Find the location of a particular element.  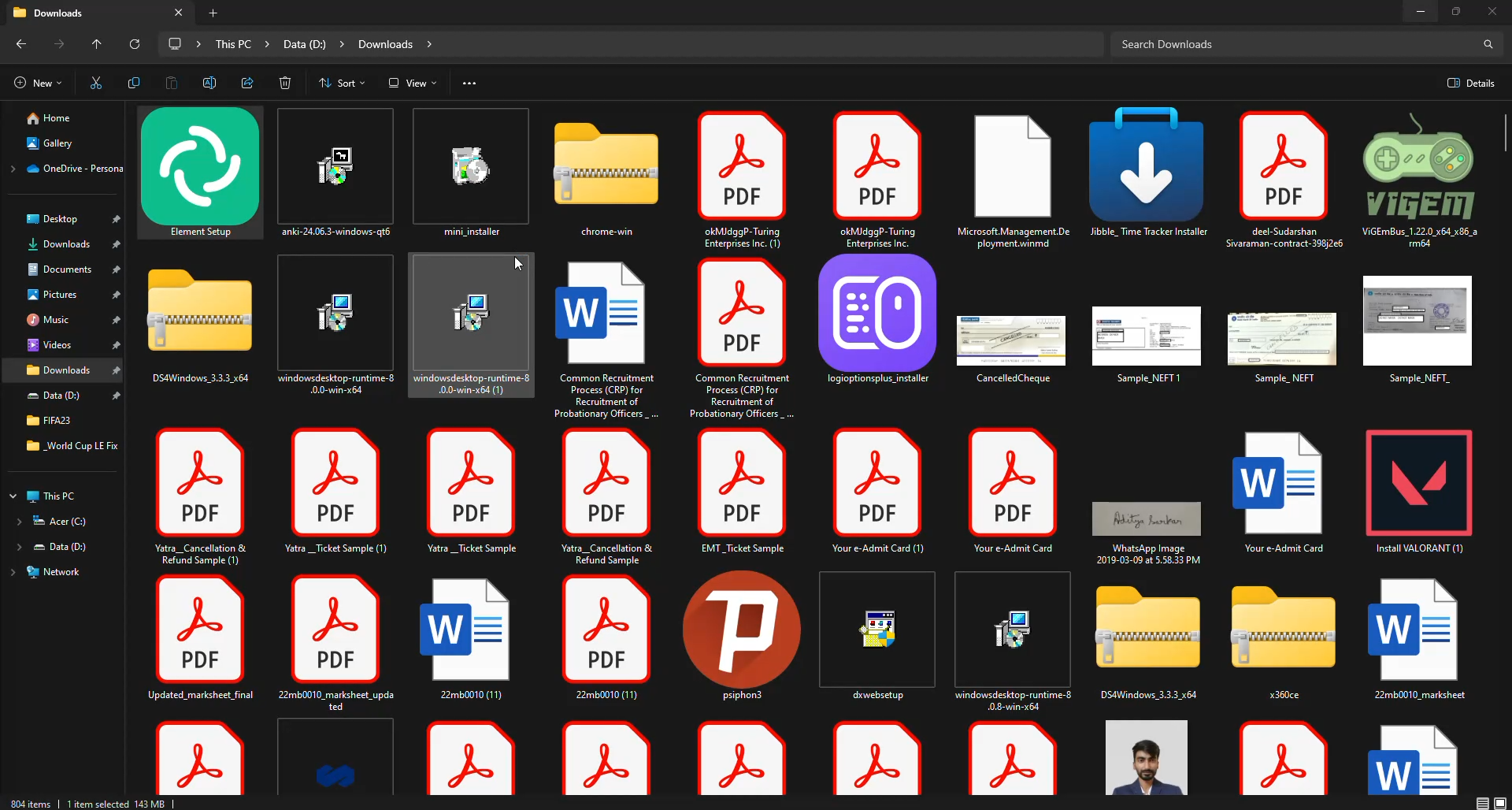

add new tab is located at coordinates (218, 13).